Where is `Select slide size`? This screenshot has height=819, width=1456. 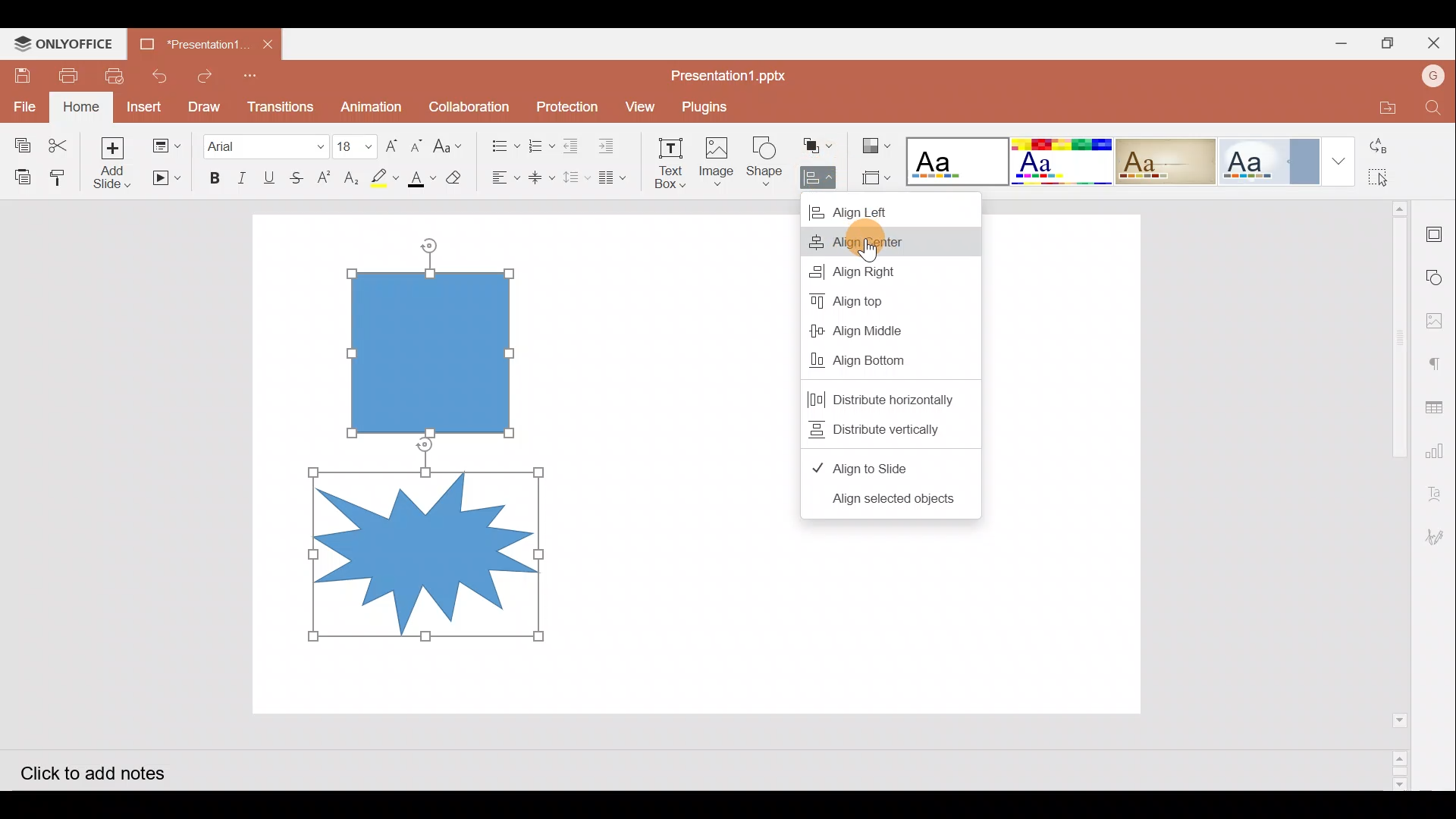
Select slide size is located at coordinates (877, 174).